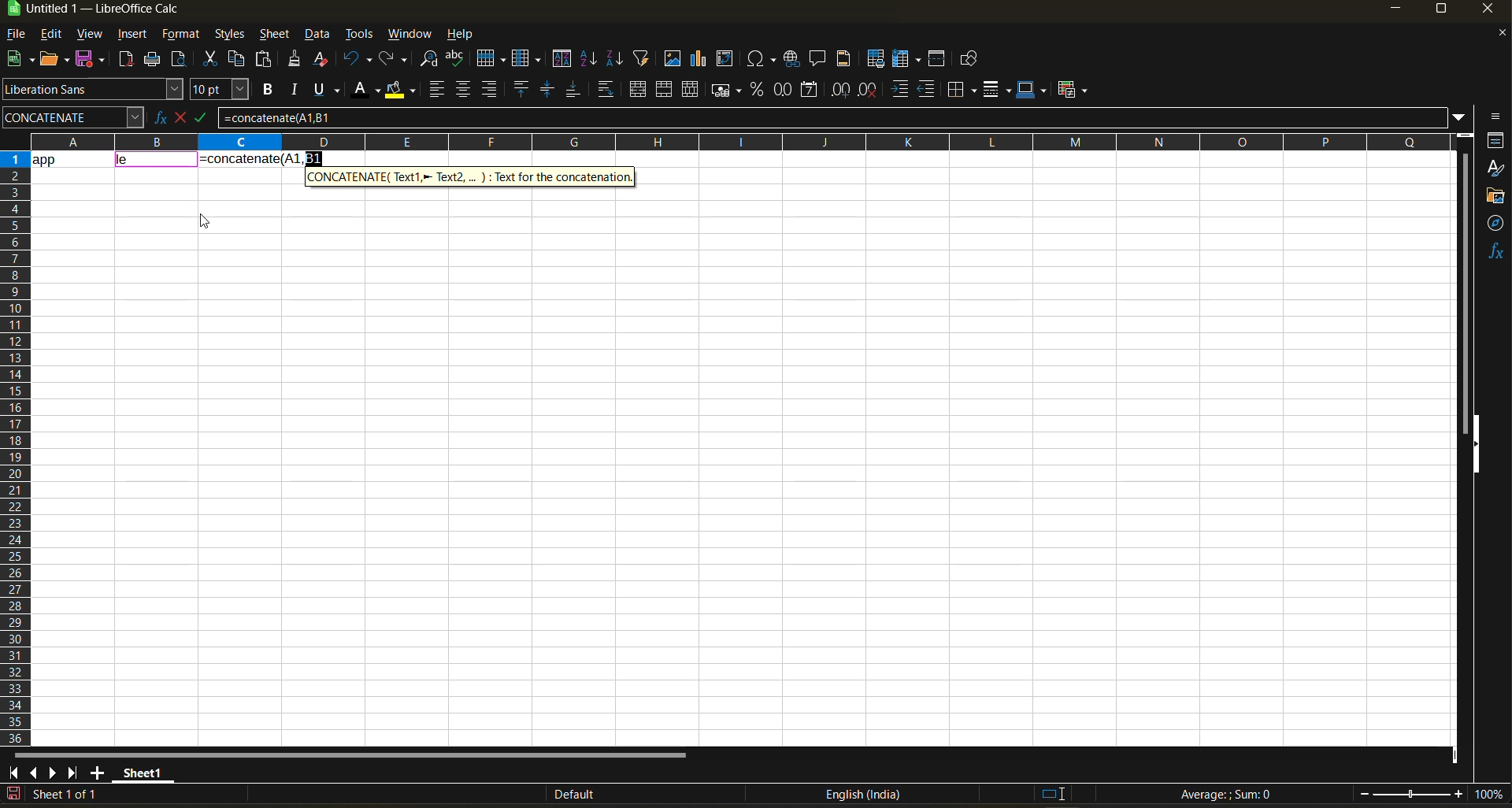 The width and height of the screenshot is (1512, 808). I want to click on find and replace, so click(430, 61).